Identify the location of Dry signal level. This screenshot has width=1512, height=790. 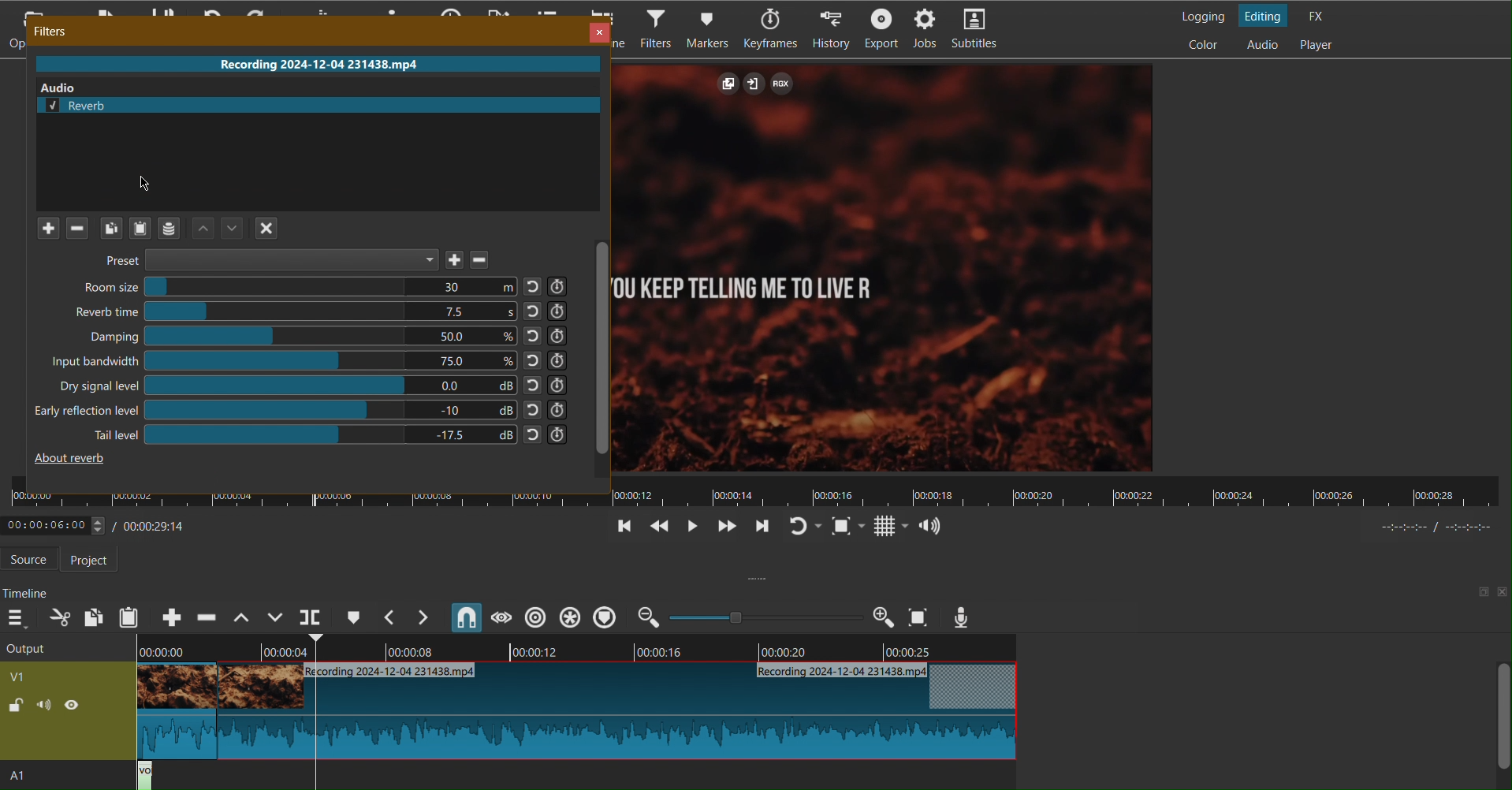
(311, 385).